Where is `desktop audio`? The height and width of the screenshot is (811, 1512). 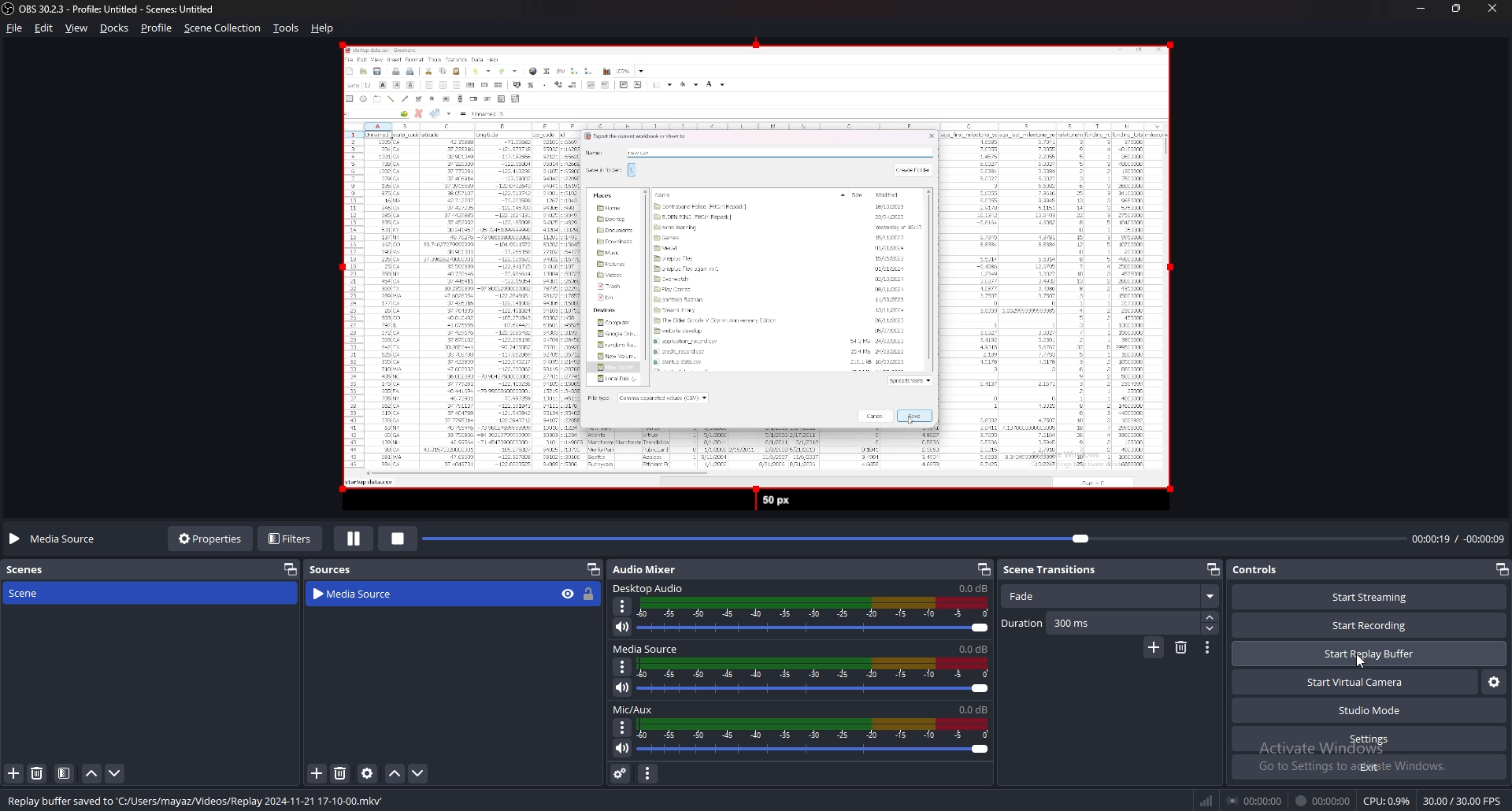
desktop audio is located at coordinates (651, 588).